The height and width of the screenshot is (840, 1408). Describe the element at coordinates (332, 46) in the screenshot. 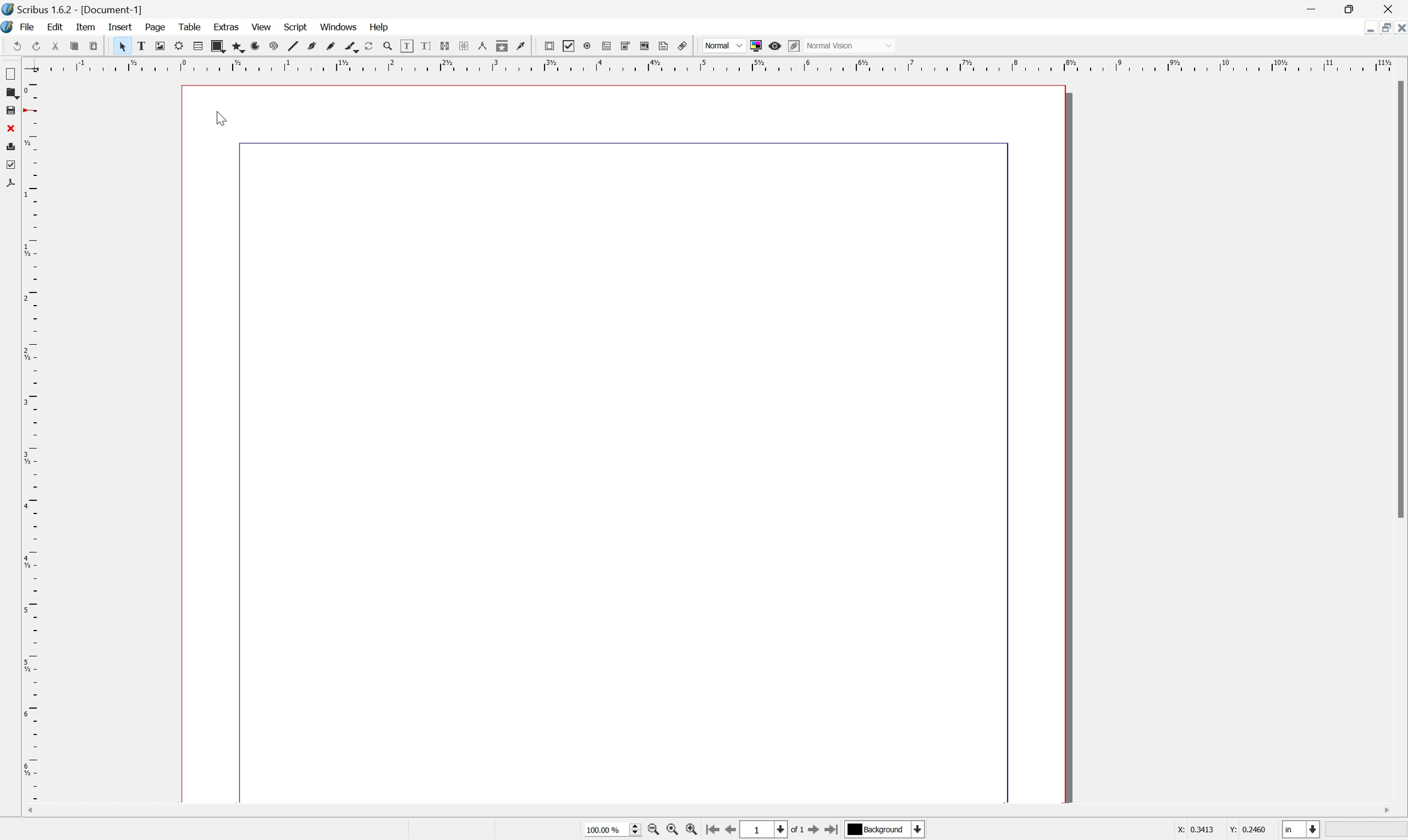

I see `table` at that location.